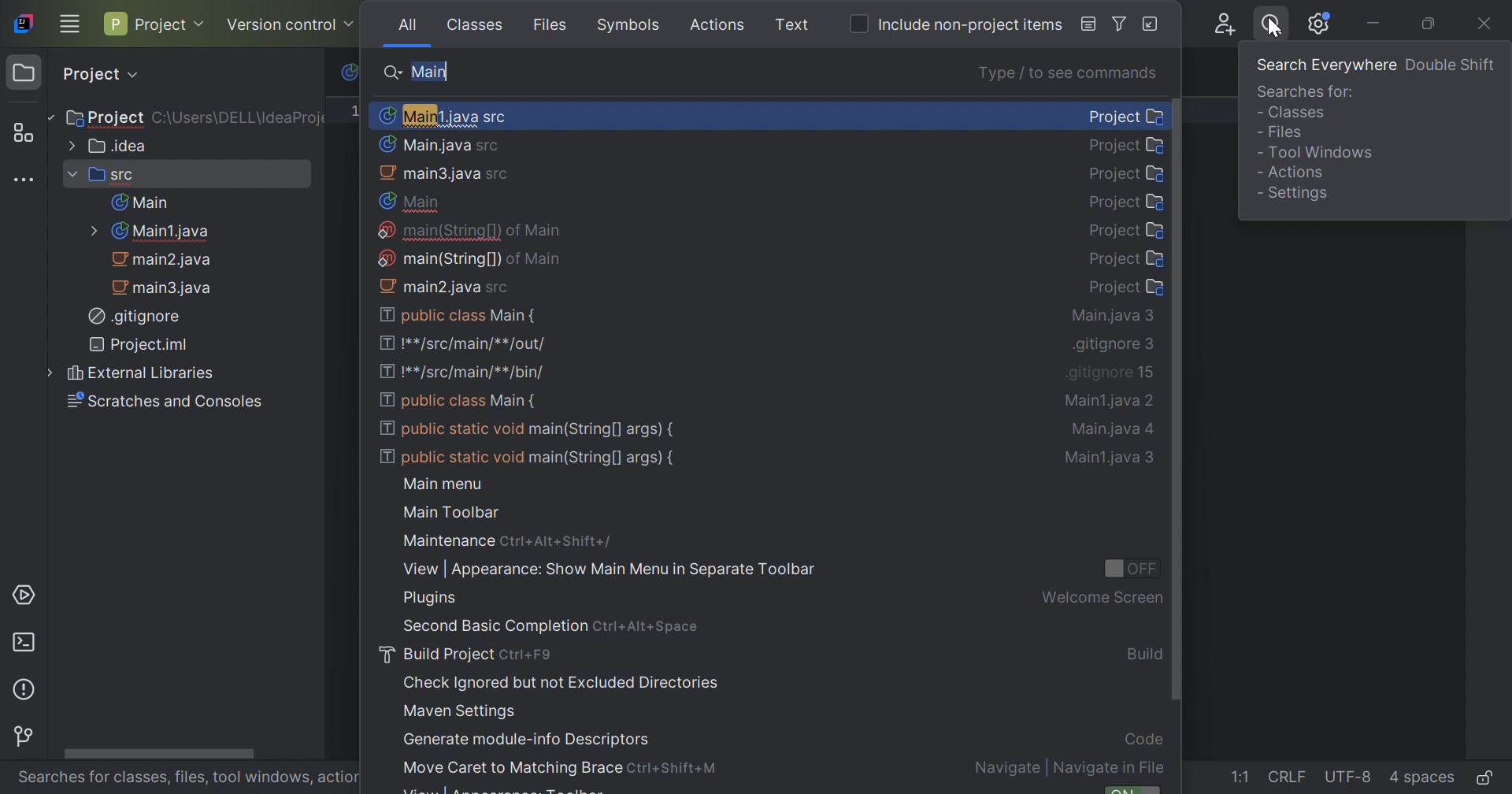  Describe the element at coordinates (406, 23) in the screenshot. I see `All` at that location.